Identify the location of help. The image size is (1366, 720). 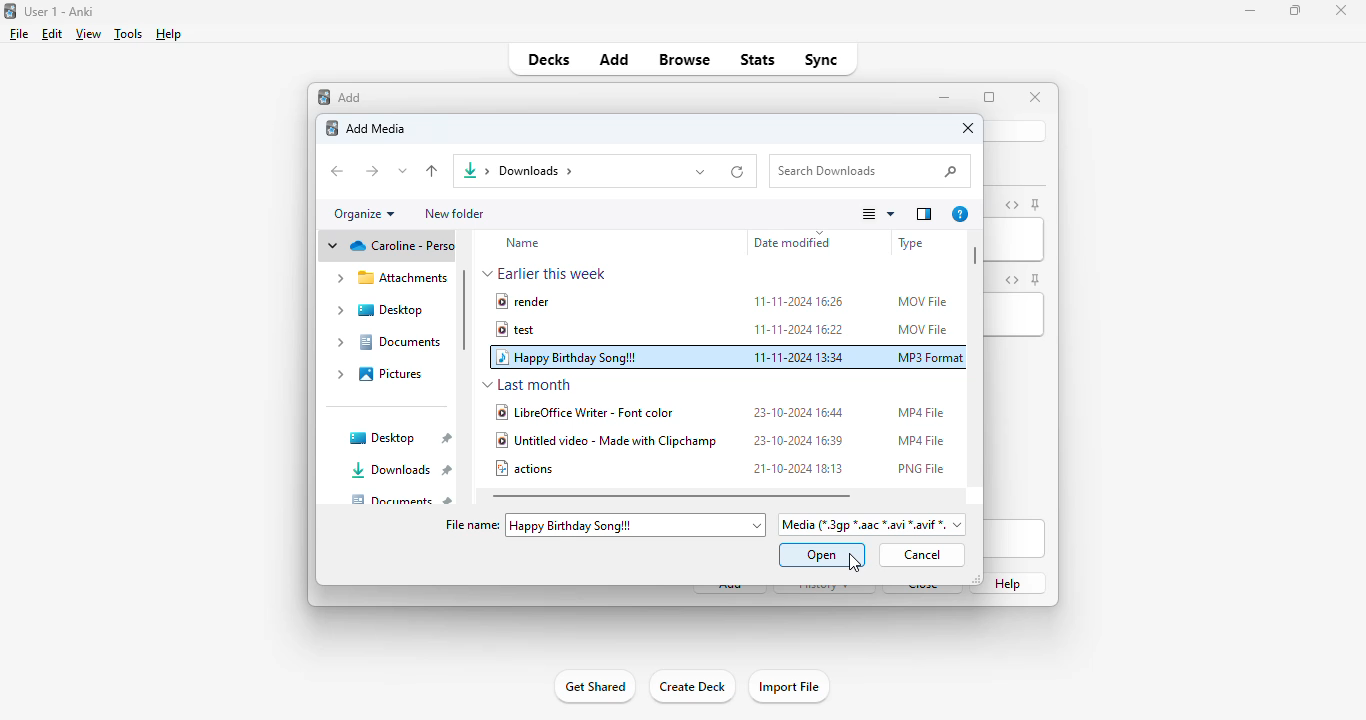
(169, 34).